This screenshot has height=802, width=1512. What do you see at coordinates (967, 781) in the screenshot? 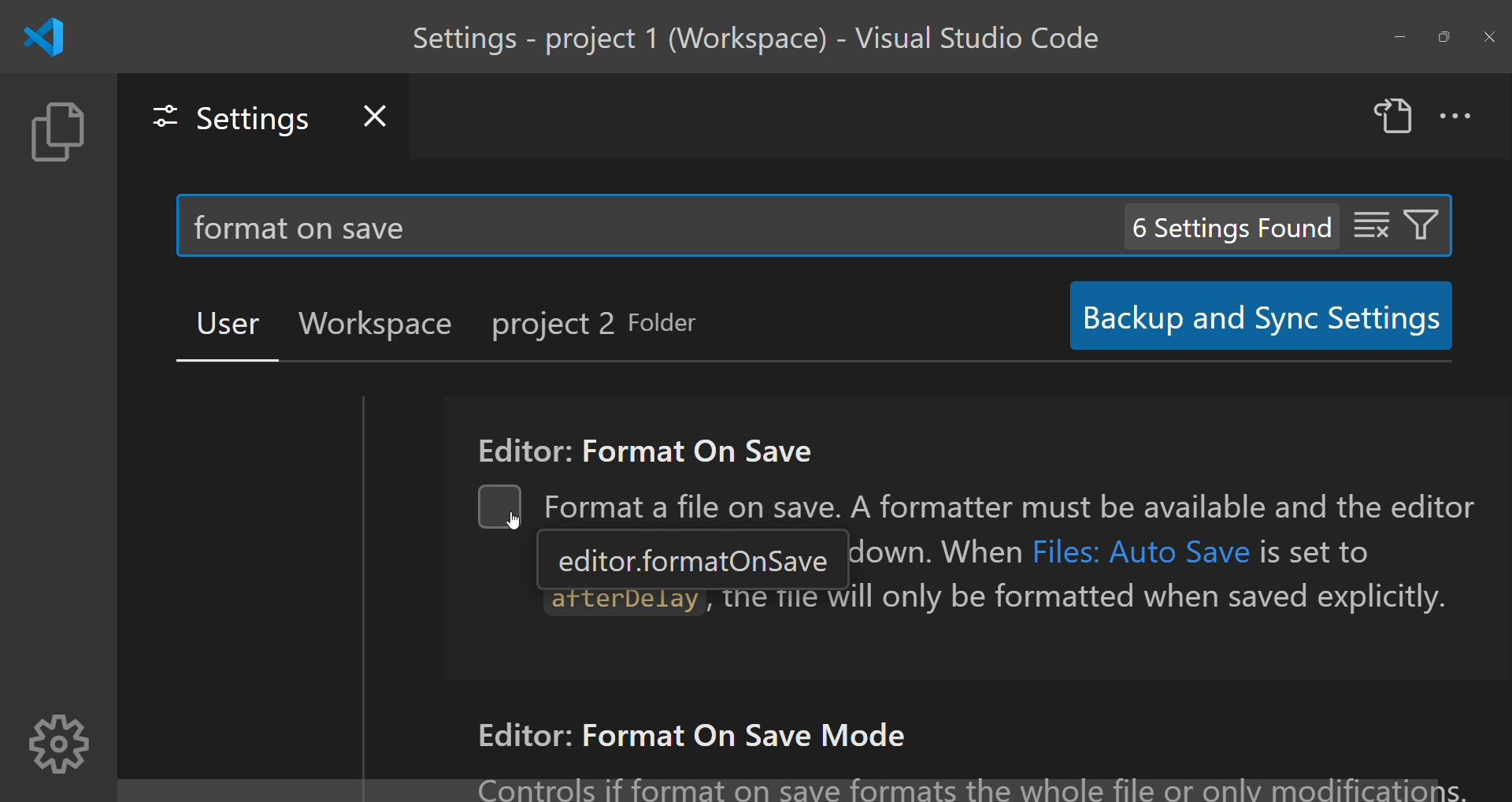
I see `text` at bounding box center [967, 781].